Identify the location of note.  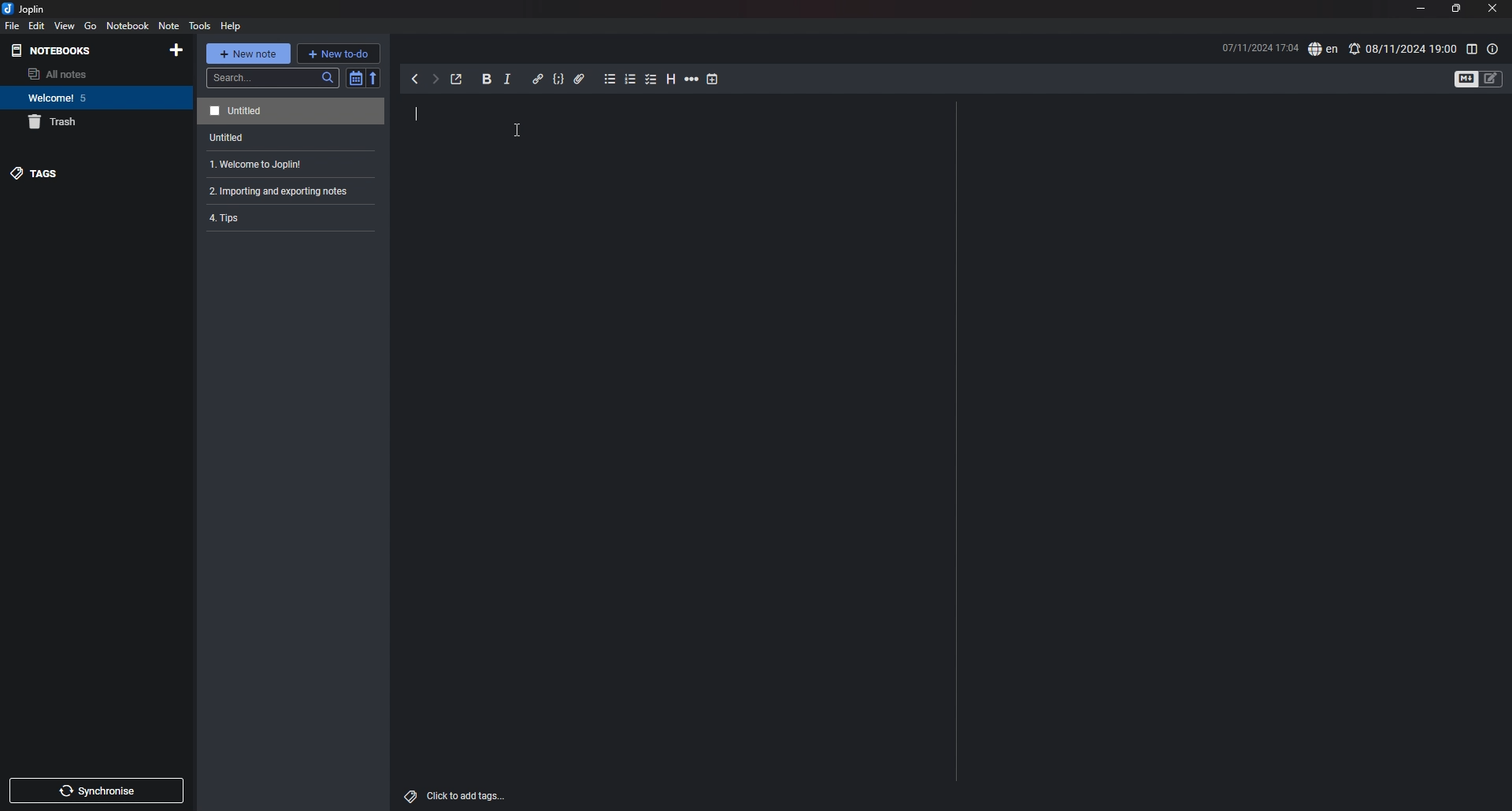
(294, 111).